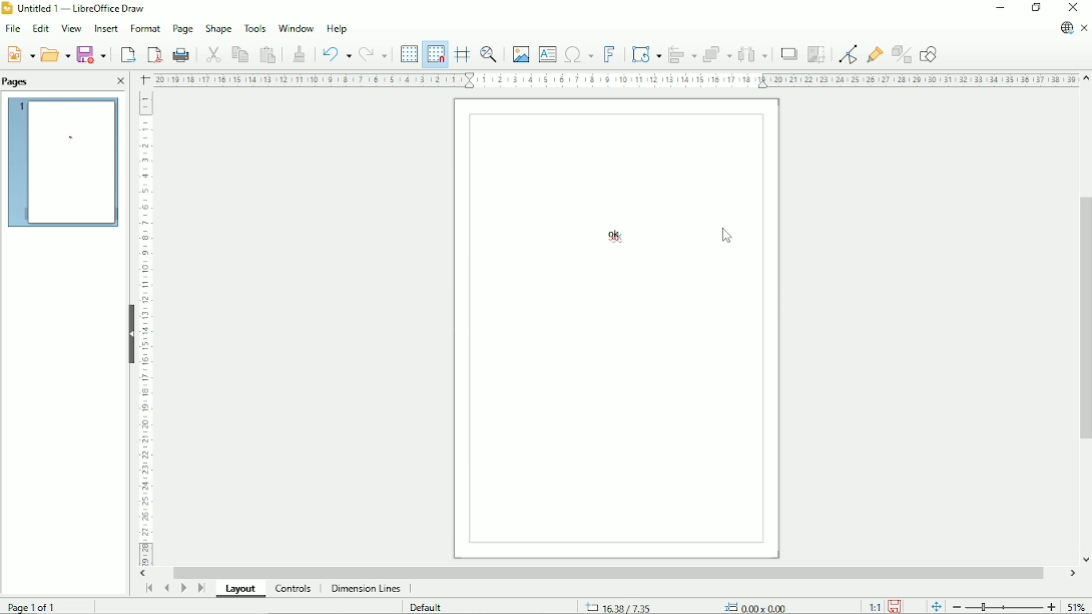 The width and height of the screenshot is (1092, 614). I want to click on Fit page to window, so click(937, 606).